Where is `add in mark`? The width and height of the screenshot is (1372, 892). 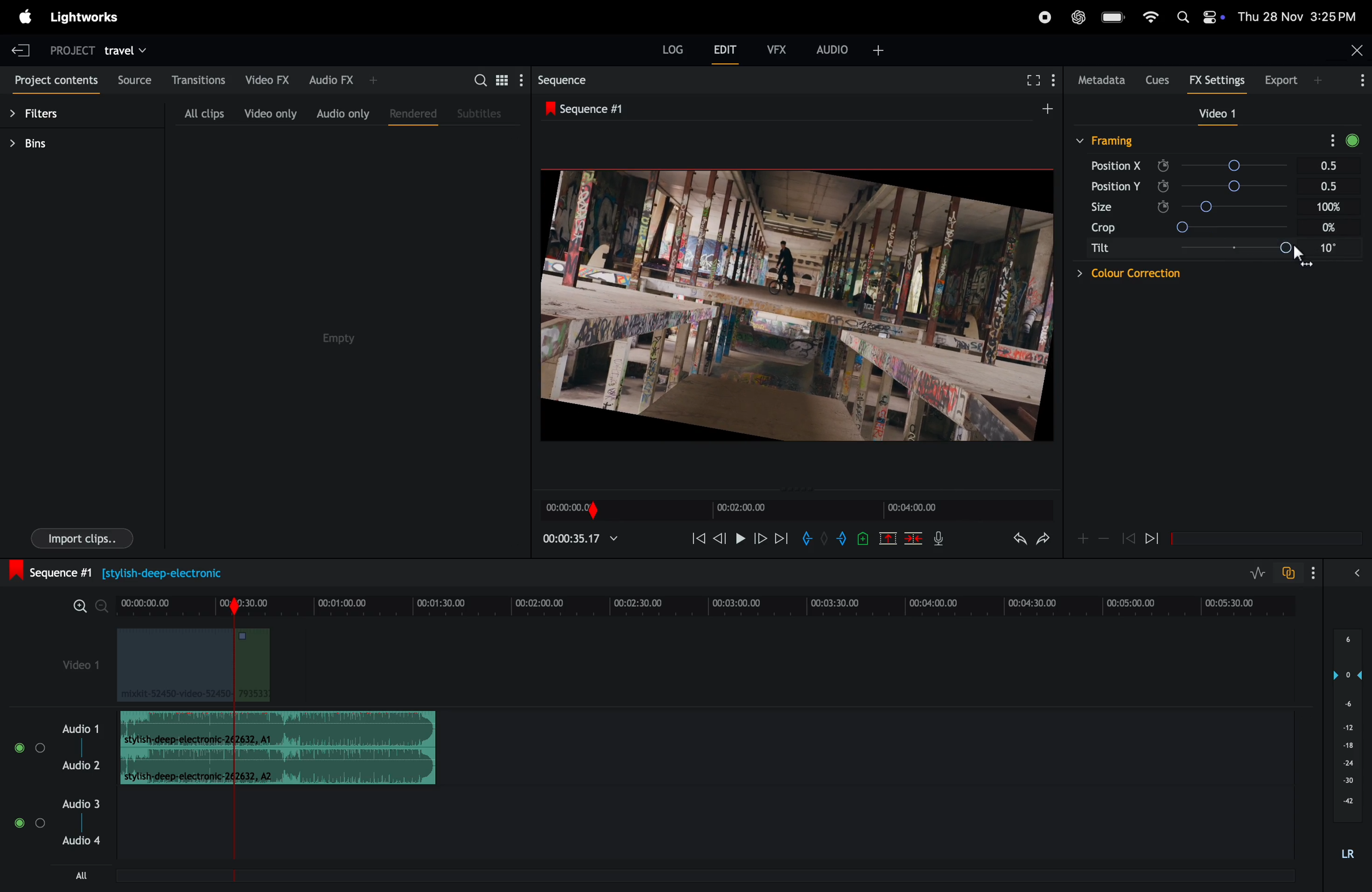 add in mark is located at coordinates (808, 541).